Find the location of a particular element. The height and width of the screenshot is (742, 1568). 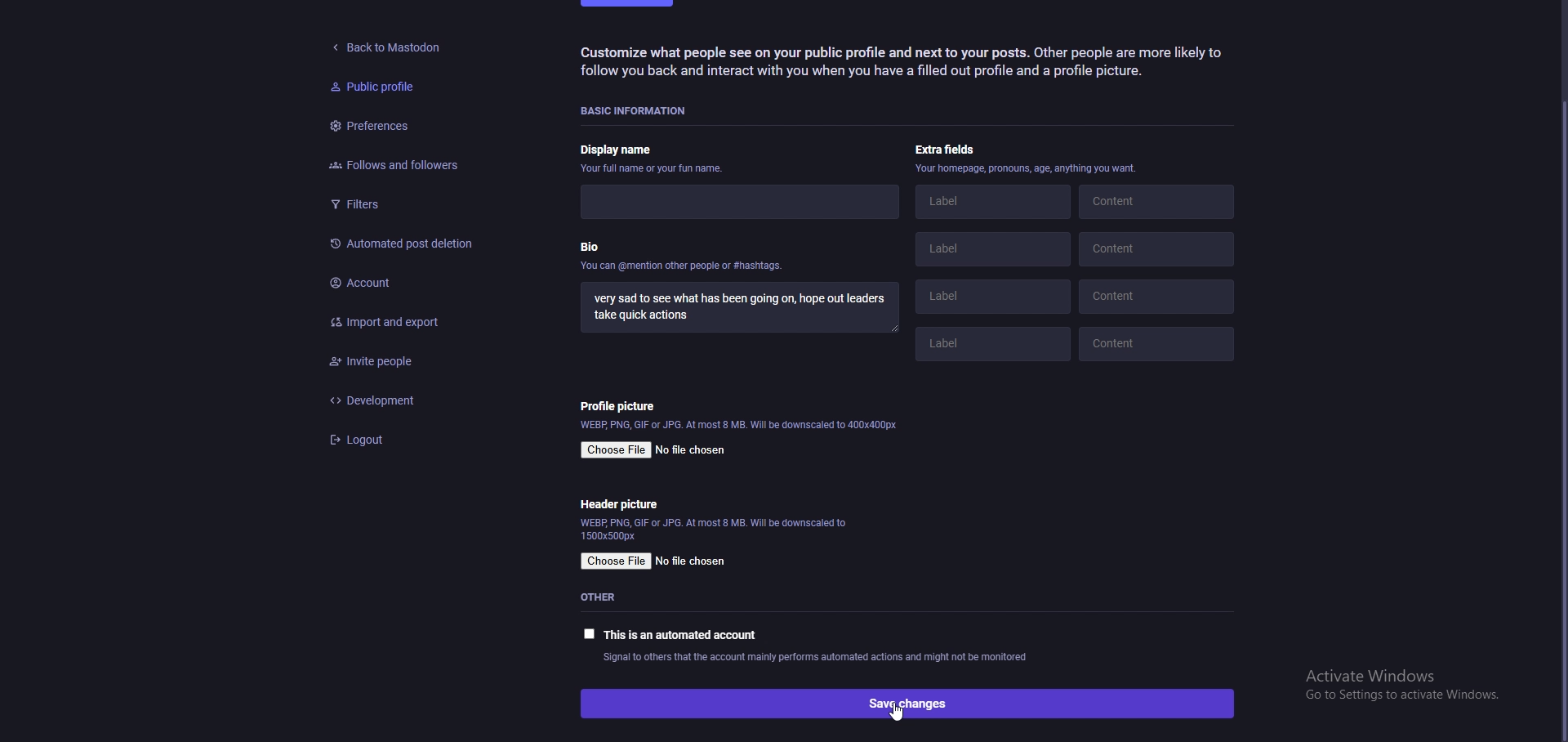

no file chosen is located at coordinates (693, 561).